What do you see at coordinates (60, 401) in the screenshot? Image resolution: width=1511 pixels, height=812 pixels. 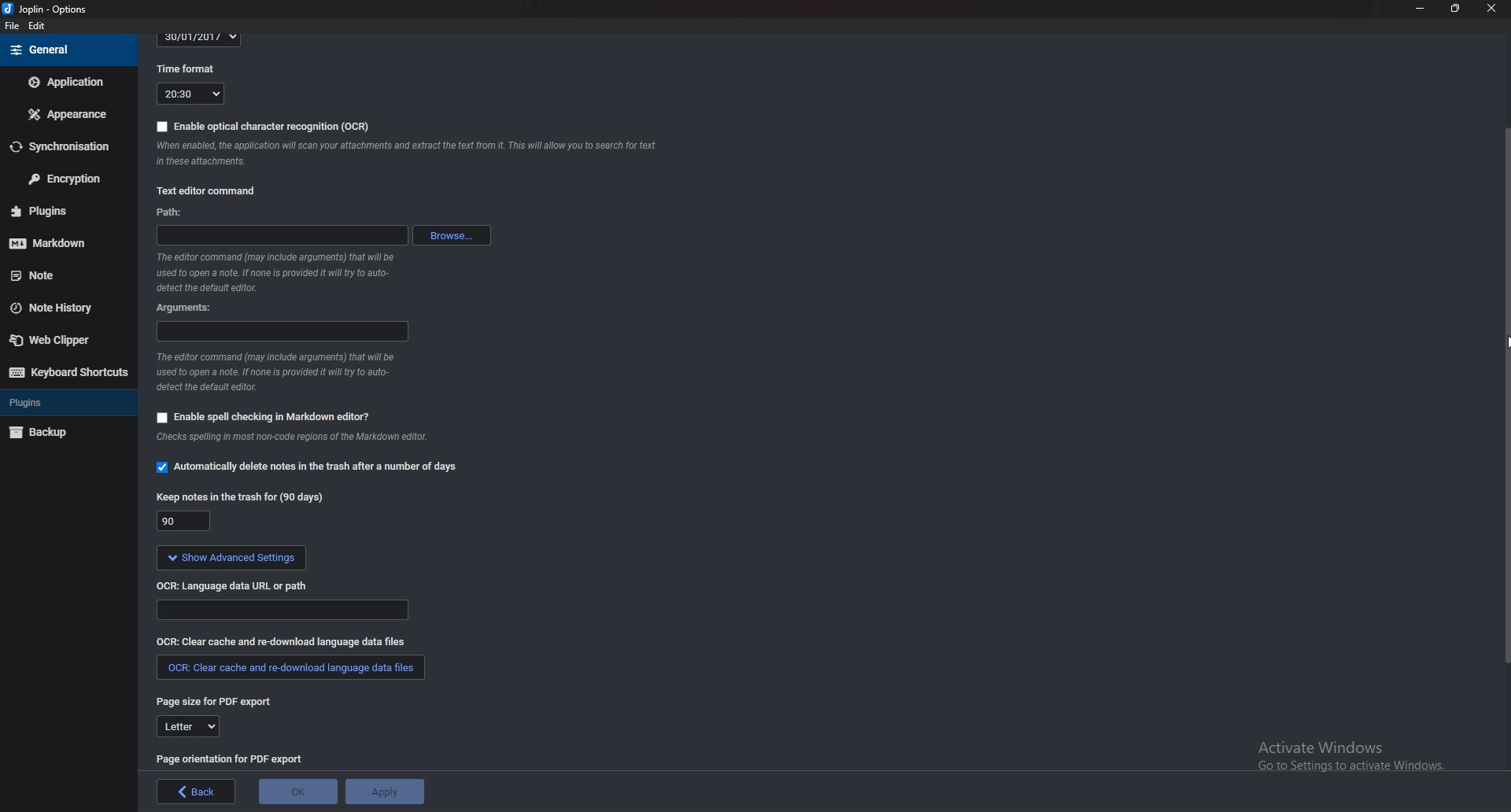 I see `Plugins` at bounding box center [60, 401].